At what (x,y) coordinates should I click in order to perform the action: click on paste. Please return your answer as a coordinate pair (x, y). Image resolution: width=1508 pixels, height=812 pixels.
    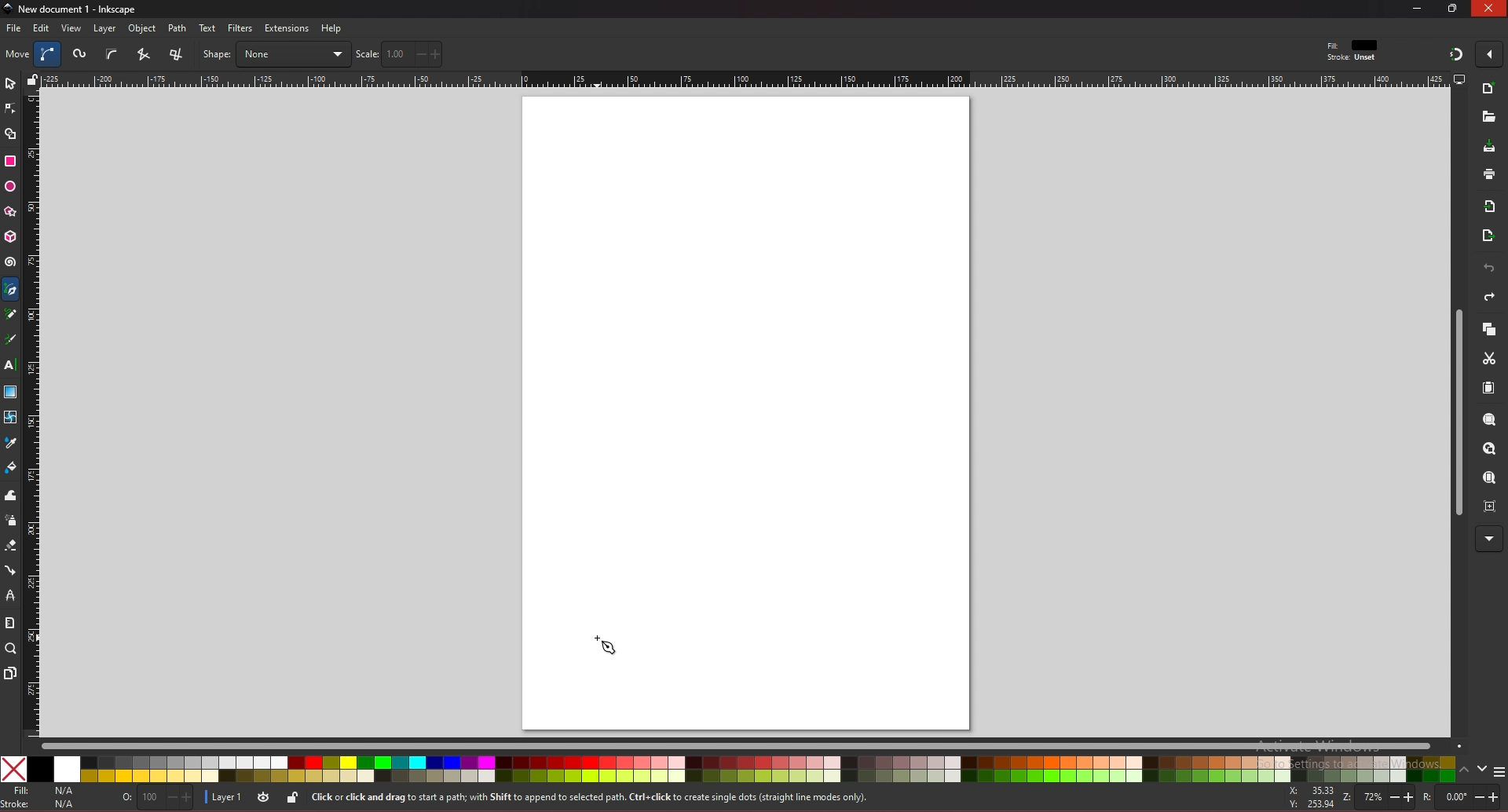
    Looking at the image, I should click on (1488, 389).